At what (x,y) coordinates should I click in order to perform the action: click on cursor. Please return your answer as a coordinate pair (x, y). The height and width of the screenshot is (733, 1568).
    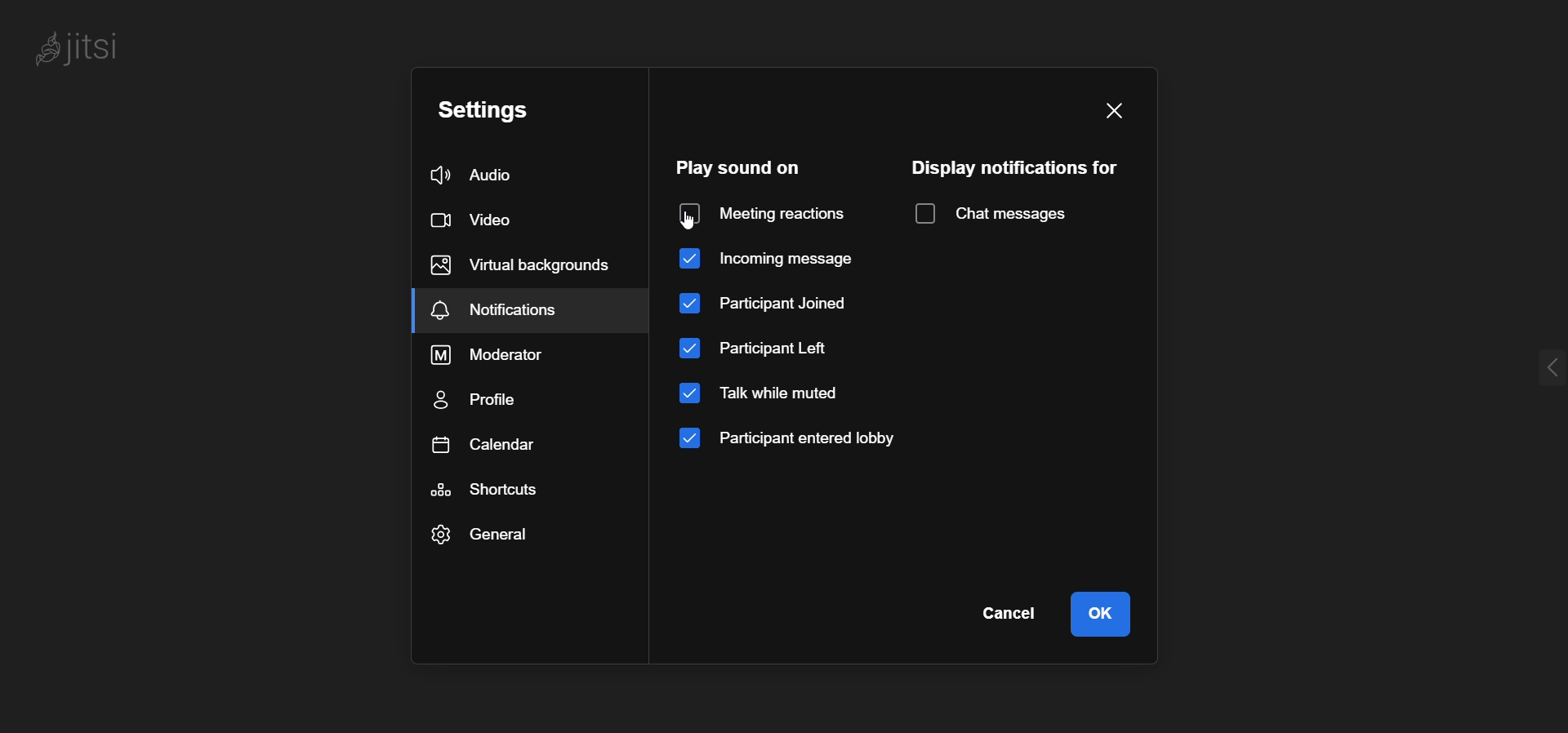
    Looking at the image, I should click on (695, 220).